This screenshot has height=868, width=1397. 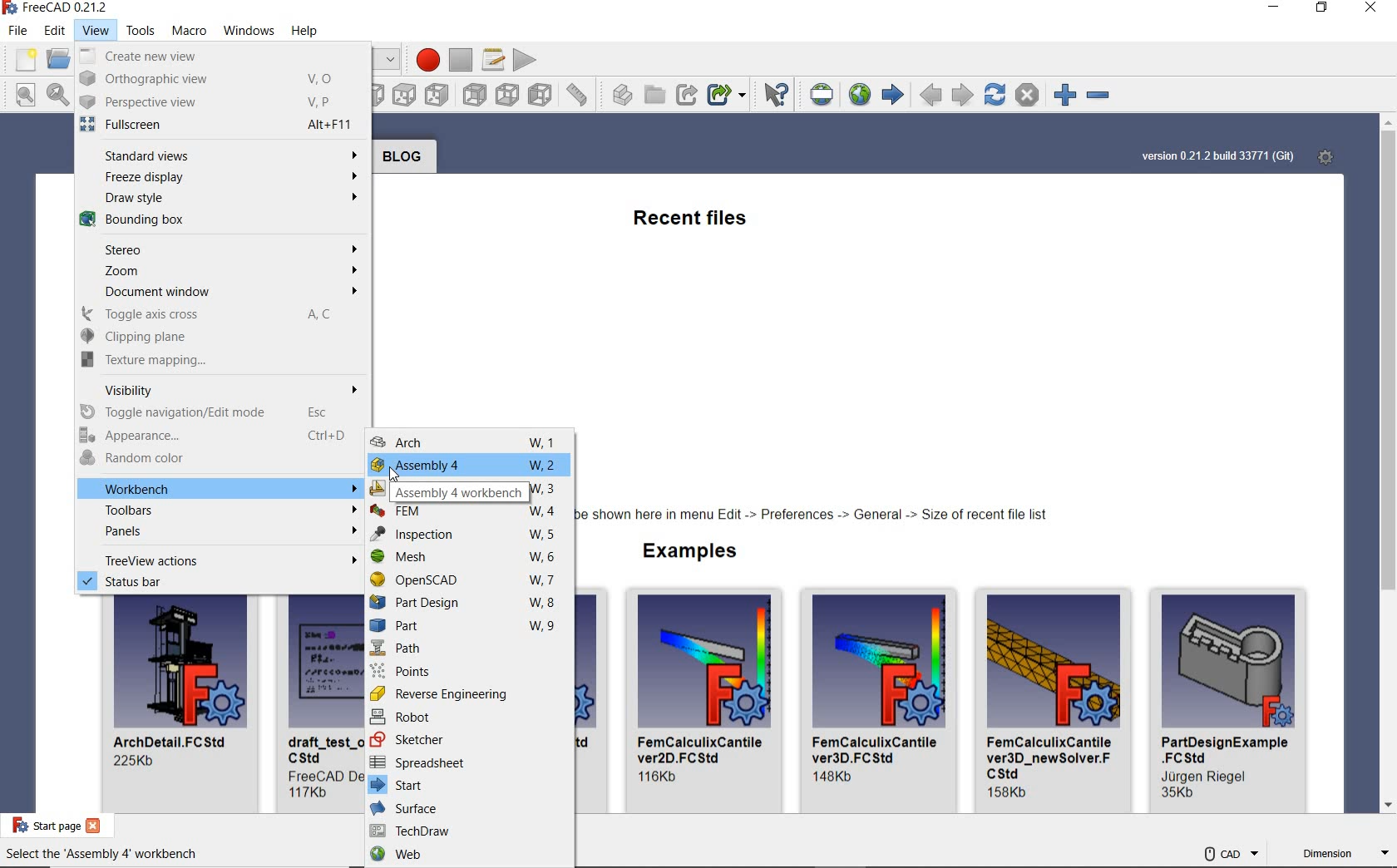 What do you see at coordinates (220, 459) in the screenshot?
I see `random color` at bounding box center [220, 459].